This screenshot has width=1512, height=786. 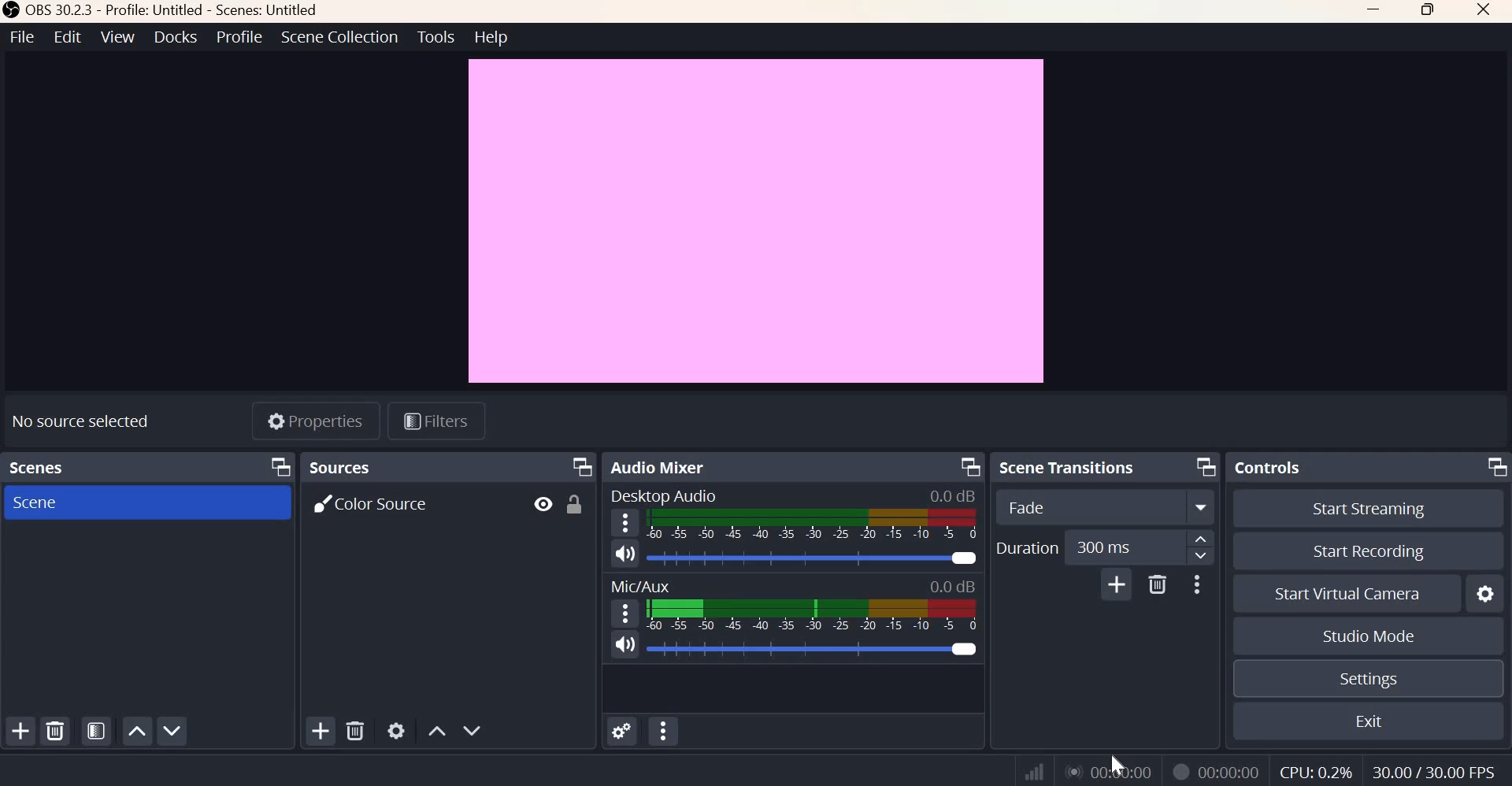 I want to click on View, so click(x=118, y=38).